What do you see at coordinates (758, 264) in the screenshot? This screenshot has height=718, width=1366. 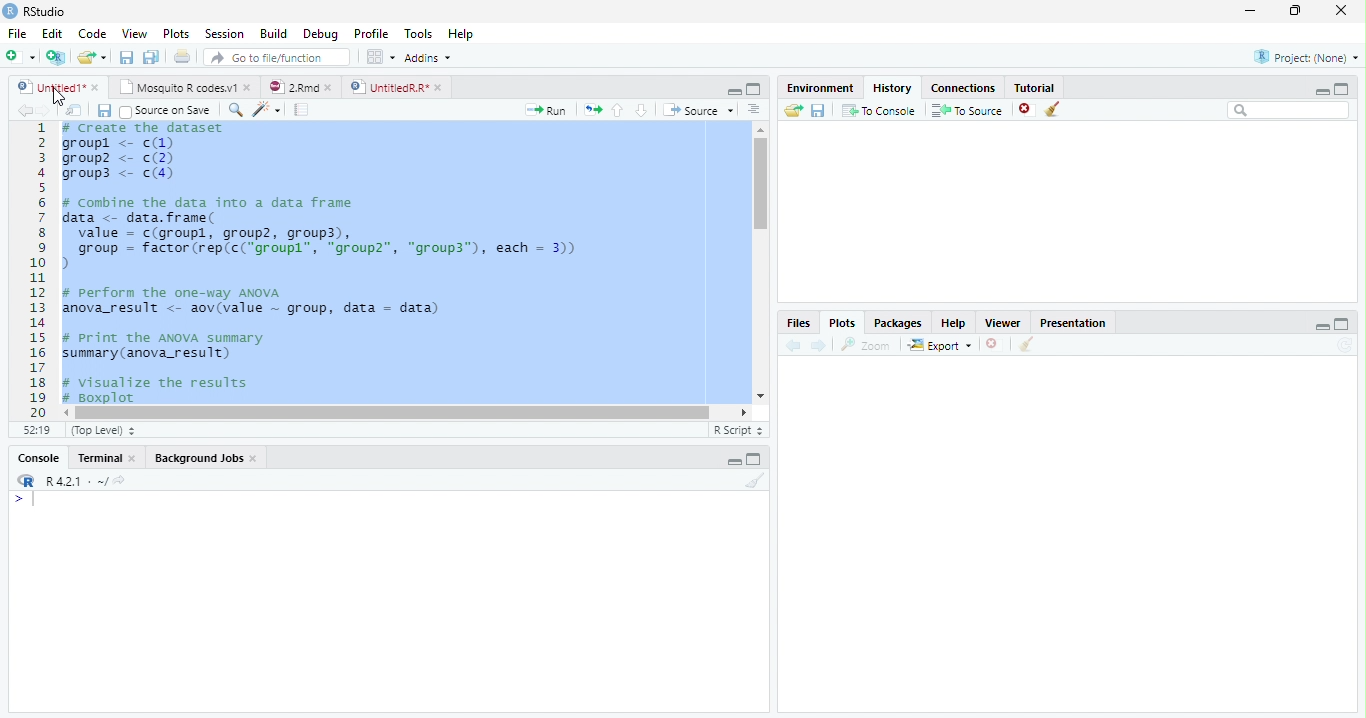 I see `Scrollbar` at bounding box center [758, 264].